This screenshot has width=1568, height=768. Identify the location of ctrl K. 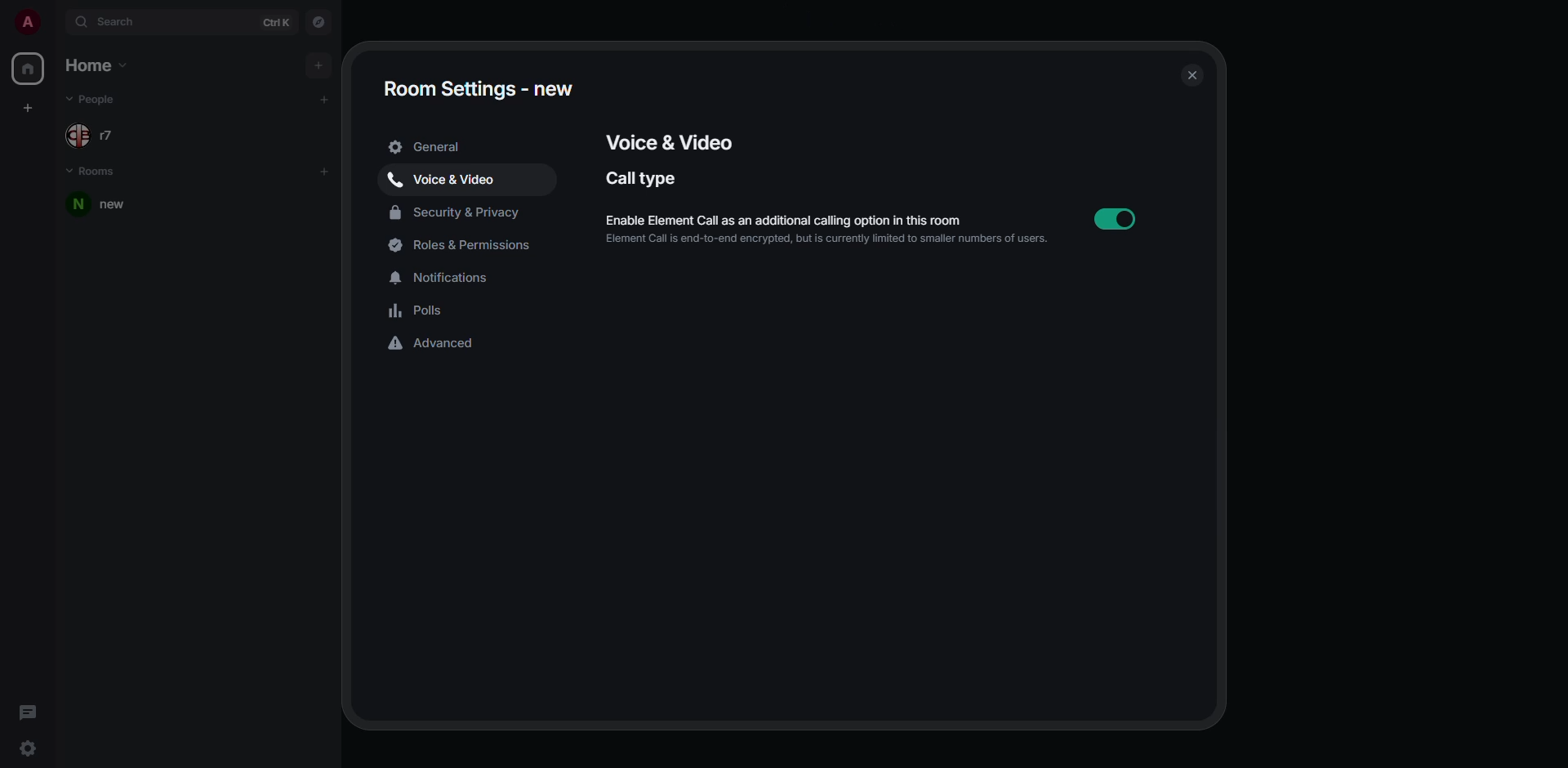
(276, 23).